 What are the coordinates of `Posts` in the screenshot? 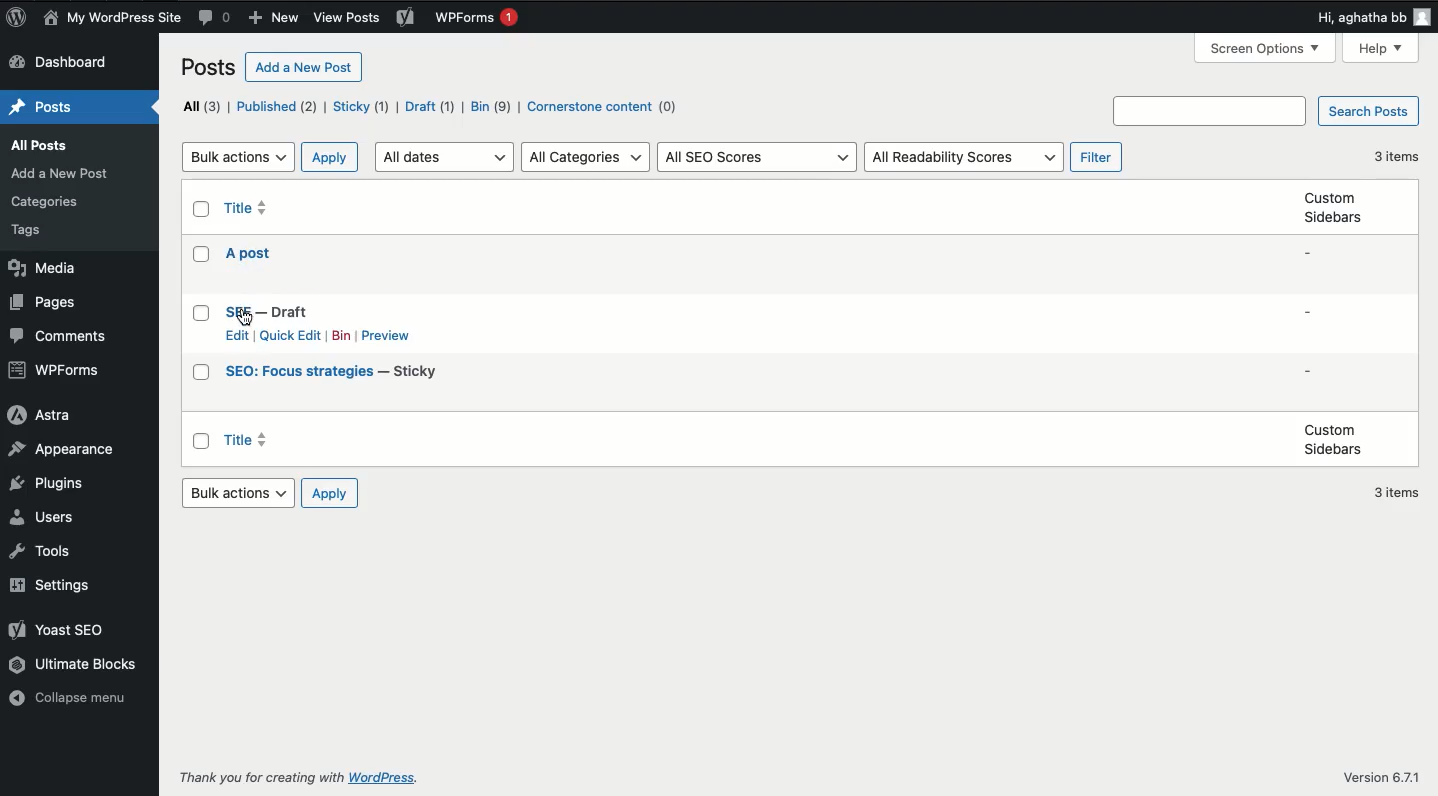 It's located at (210, 67).